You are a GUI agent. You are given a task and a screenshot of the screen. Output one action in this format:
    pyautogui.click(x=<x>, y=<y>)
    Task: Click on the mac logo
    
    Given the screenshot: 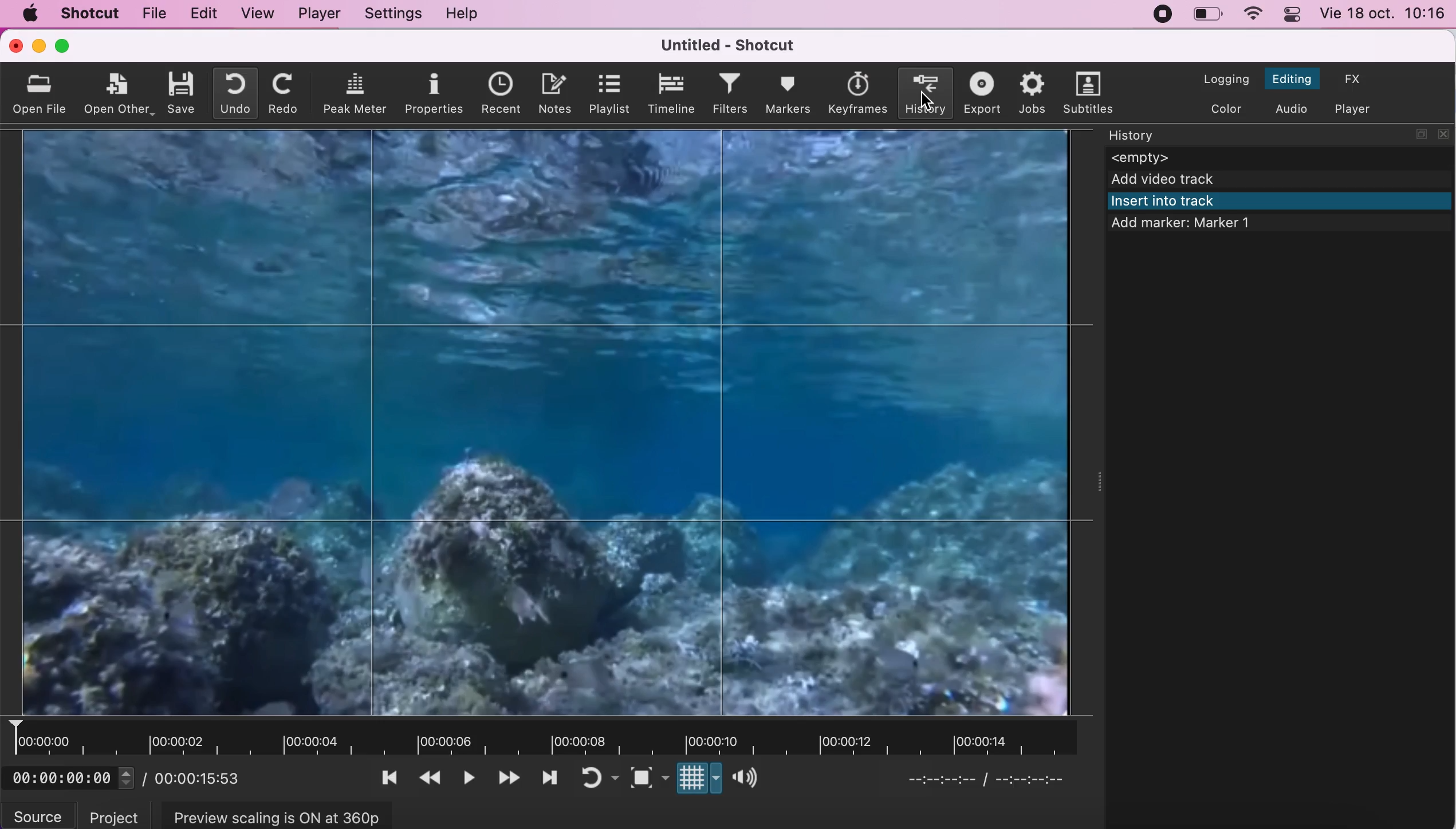 What is the action you would take?
    pyautogui.click(x=31, y=13)
    